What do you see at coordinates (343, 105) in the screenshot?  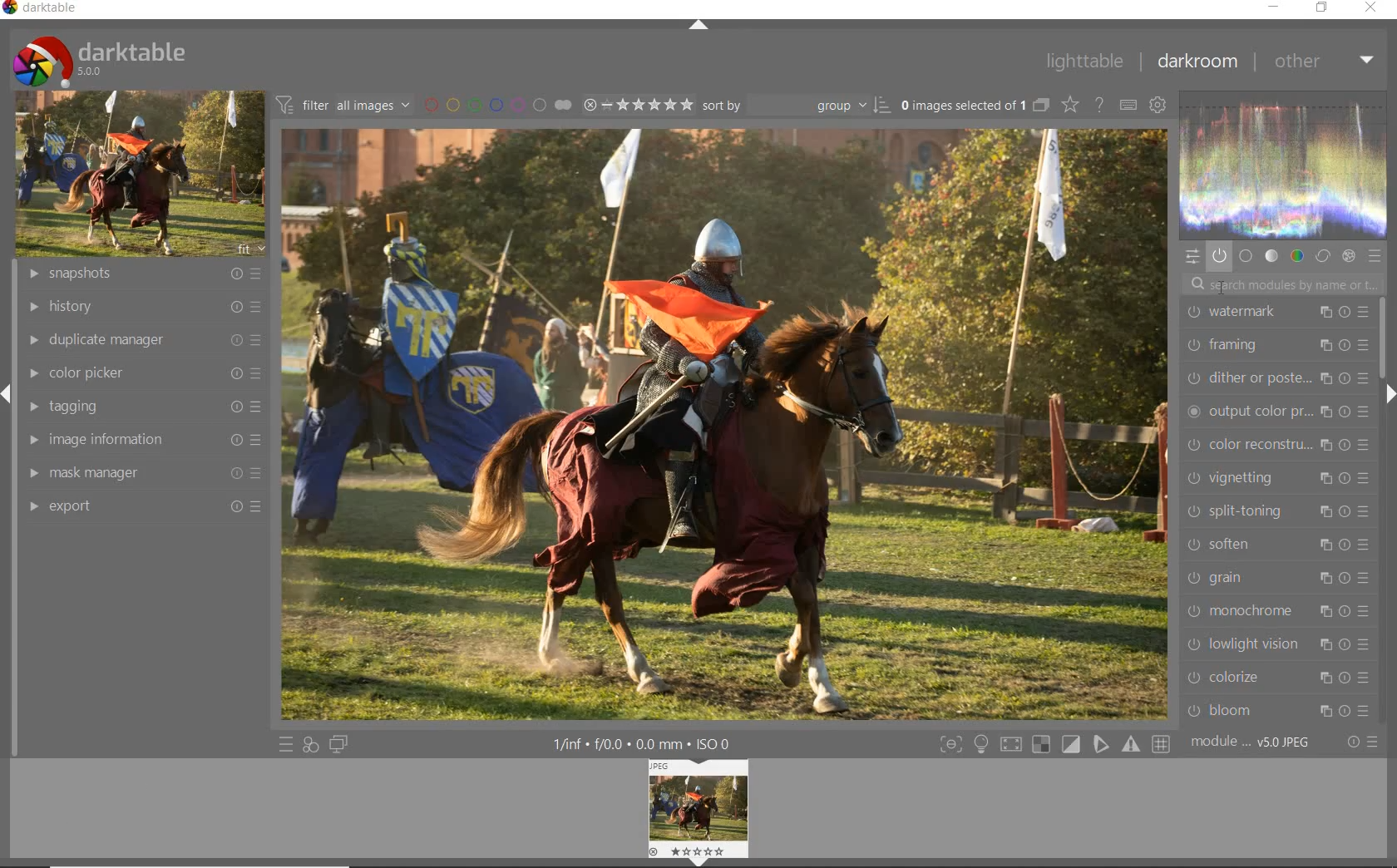 I see `filter all images` at bounding box center [343, 105].